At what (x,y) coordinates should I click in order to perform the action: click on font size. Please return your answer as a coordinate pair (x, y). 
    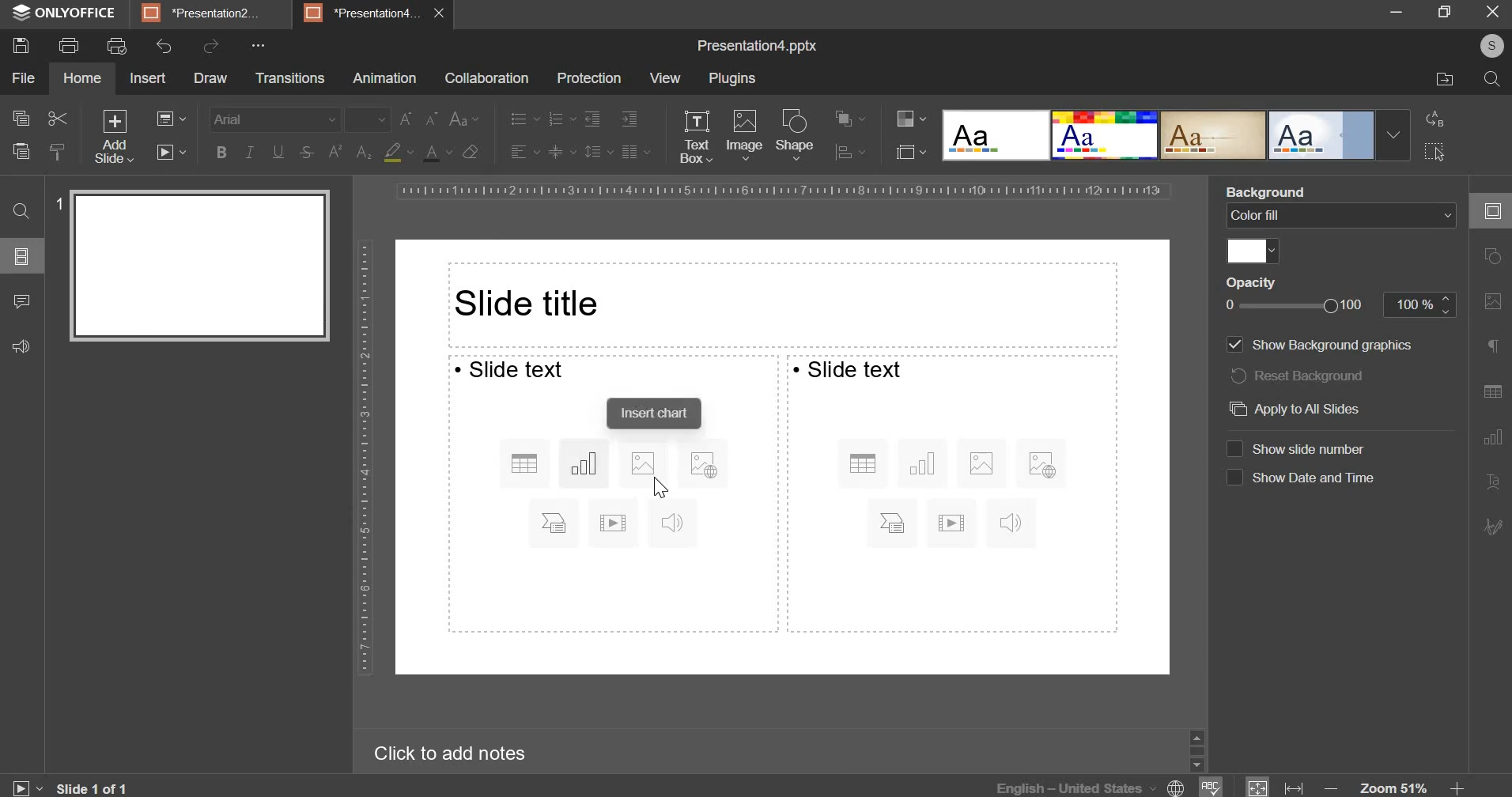
    Looking at the image, I should click on (369, 119).